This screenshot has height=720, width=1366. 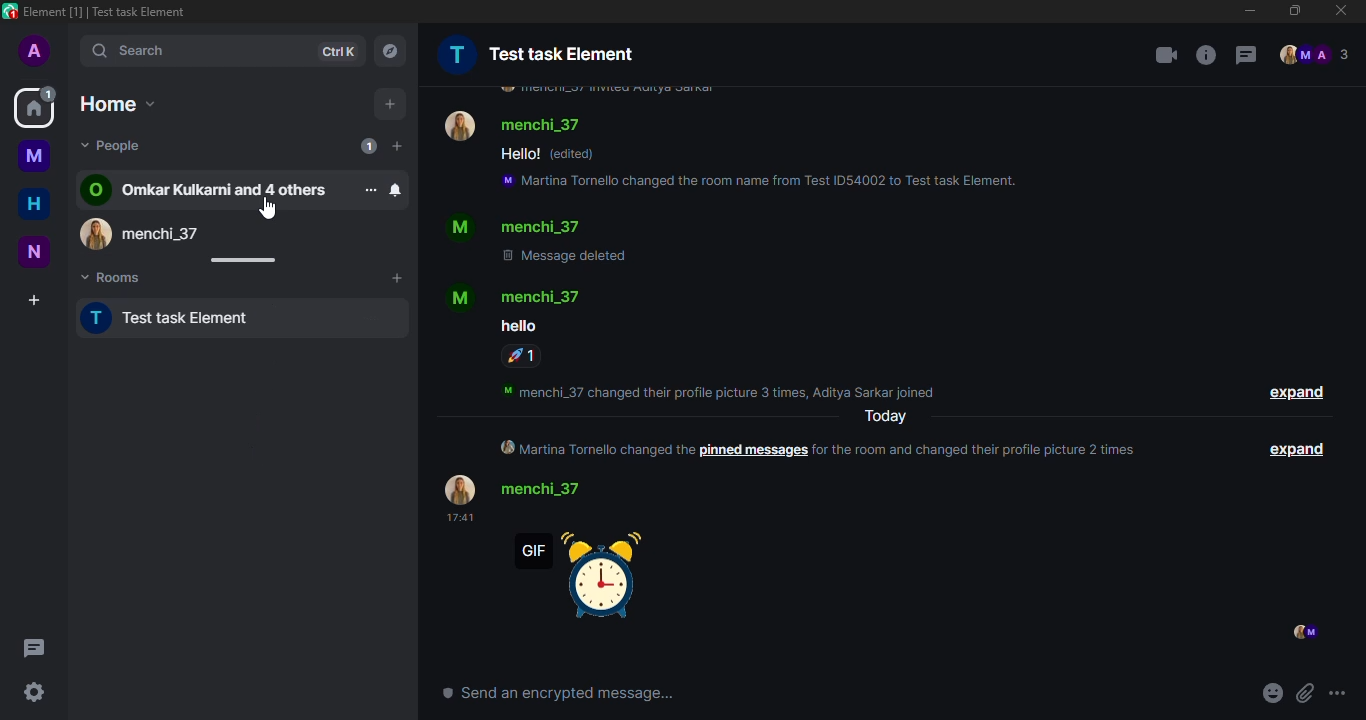 I want to click on for the room and changed their profile picture 2 times, so click(x=976, y=450).